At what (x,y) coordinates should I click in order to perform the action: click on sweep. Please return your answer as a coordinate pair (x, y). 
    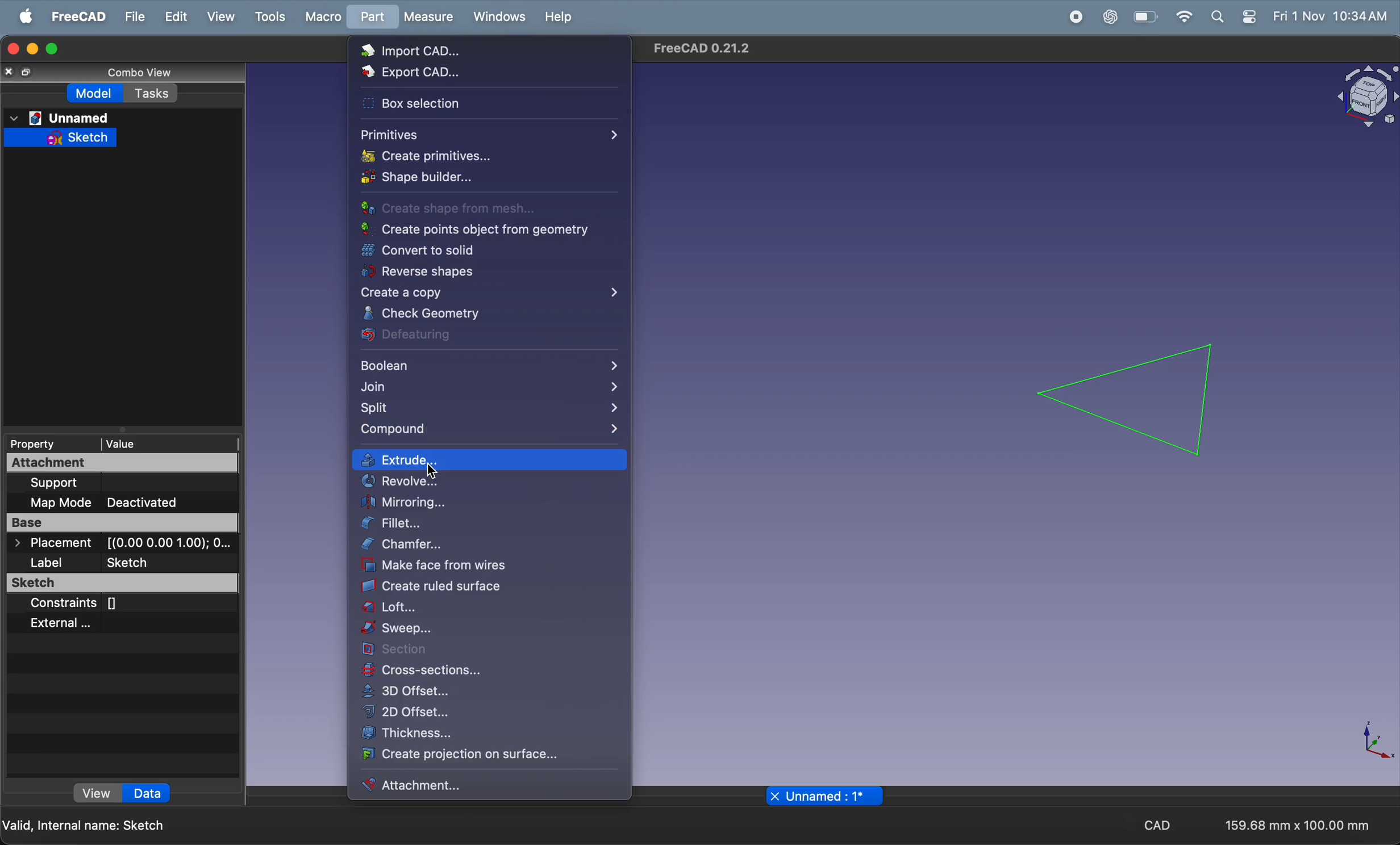
    Looking at the image, I should click on (489, 630).